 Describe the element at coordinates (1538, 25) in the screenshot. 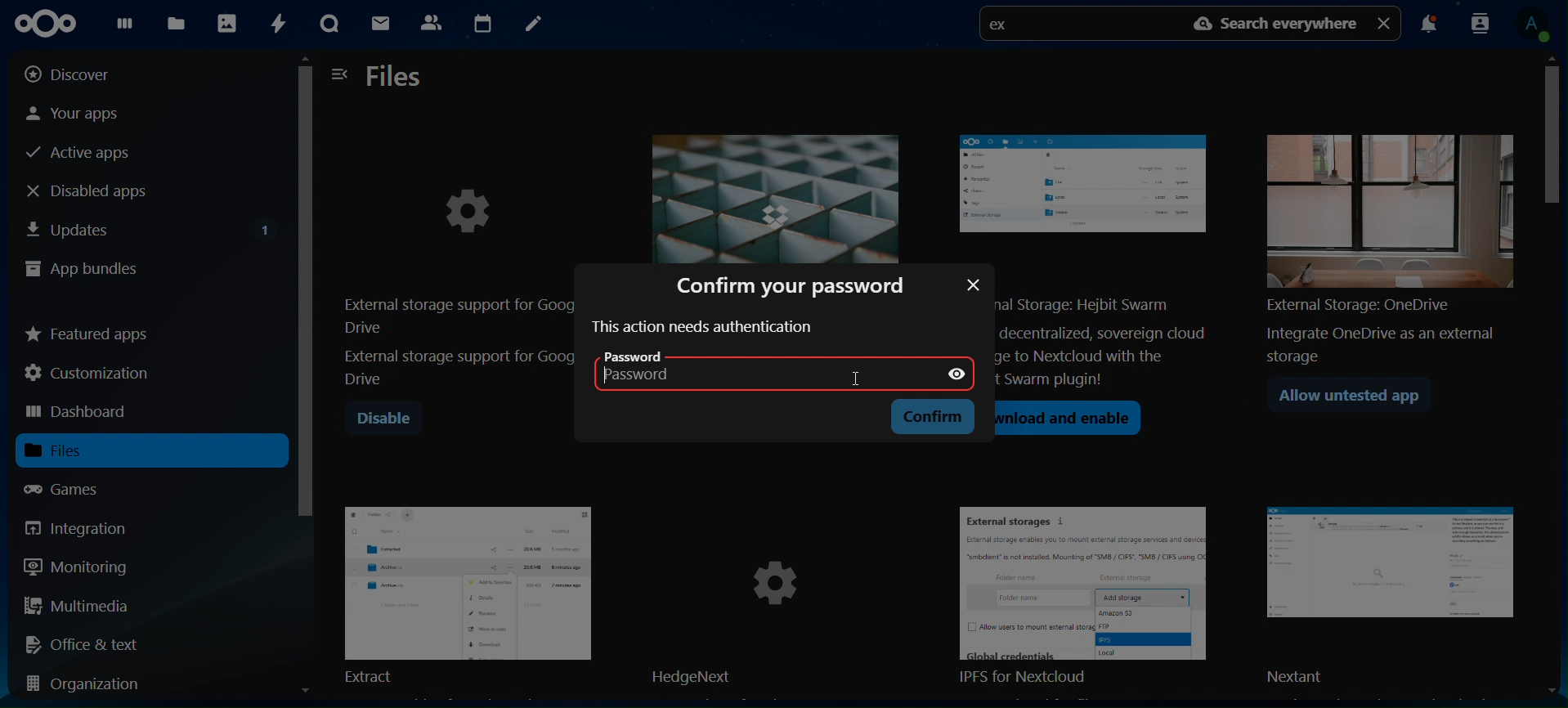

I see `view profile` at that location.